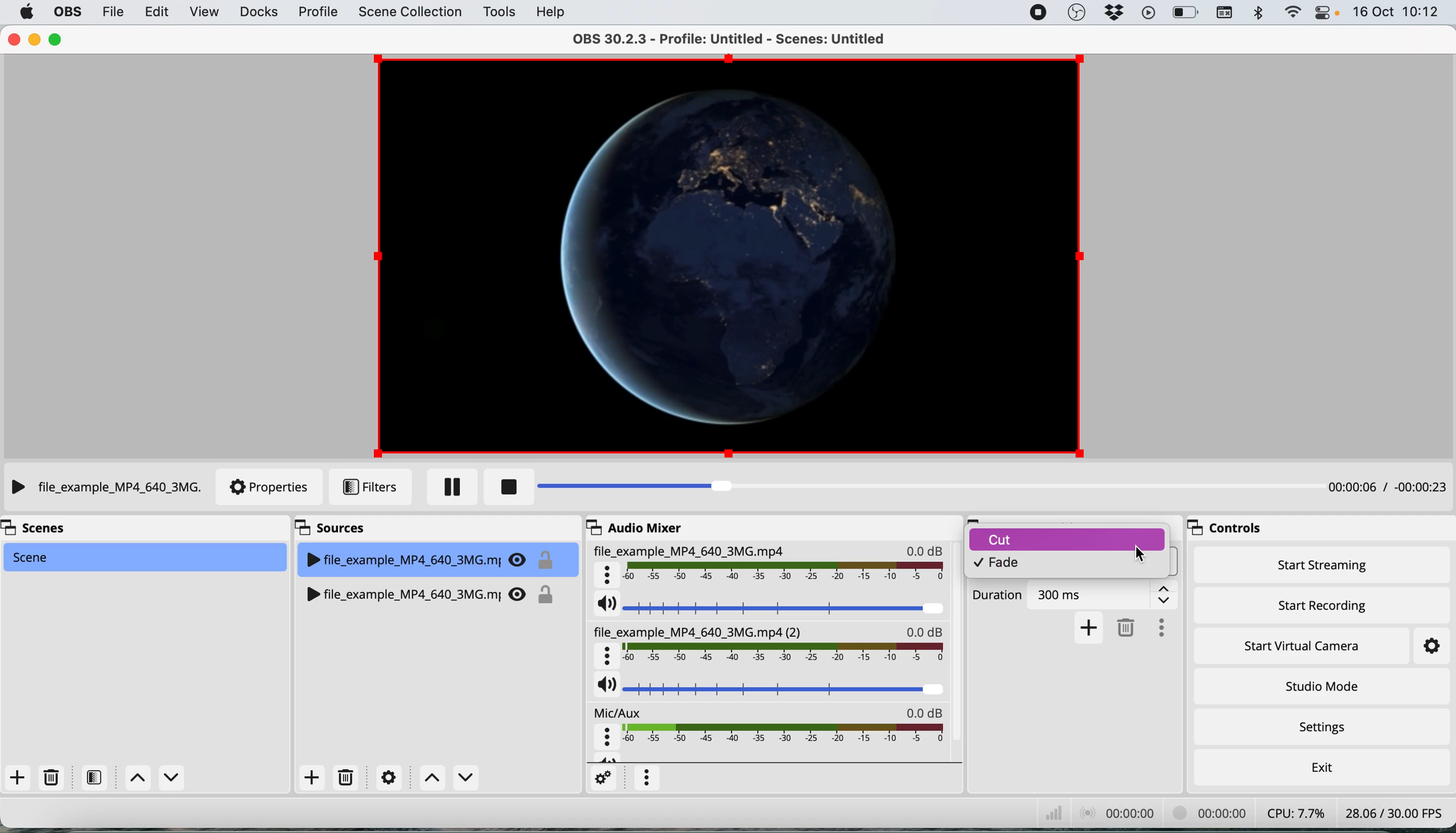  I want to click on switch between sources, so click(447, 778).